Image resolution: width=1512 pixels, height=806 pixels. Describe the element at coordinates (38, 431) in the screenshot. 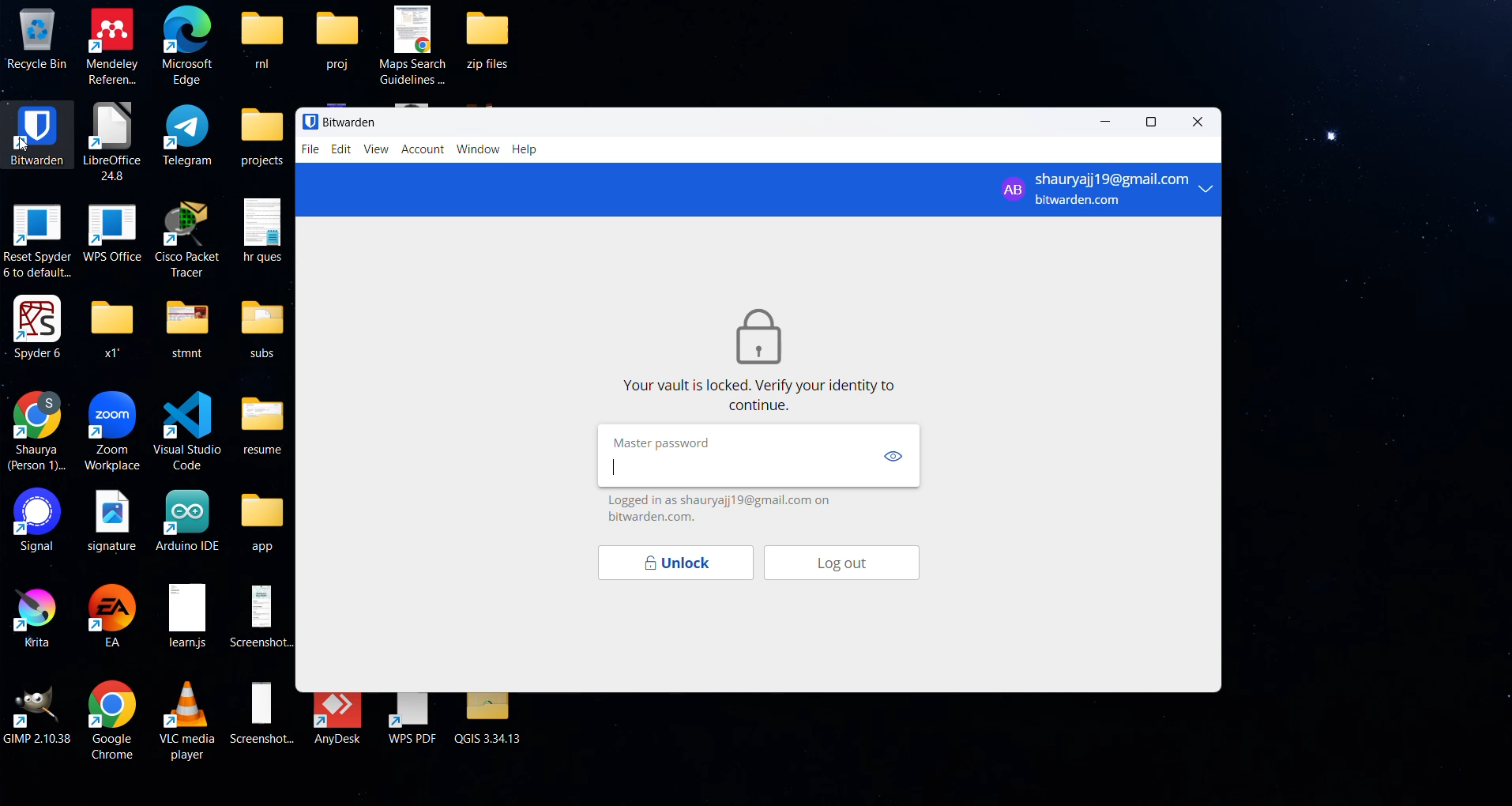

I see `Shaurya(Person 1)...` at that location.